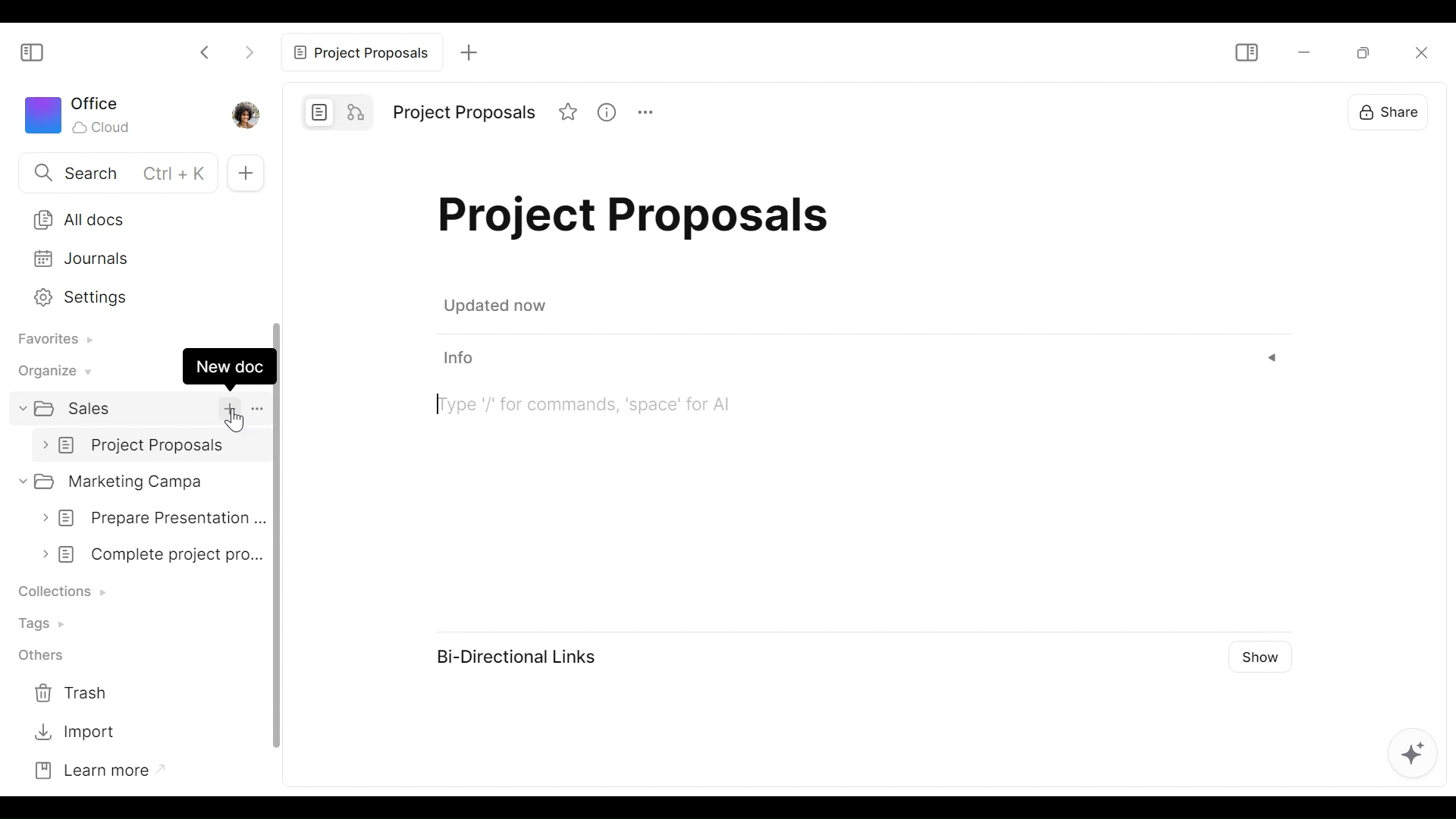  I want to click on view information, so click(607, 113).